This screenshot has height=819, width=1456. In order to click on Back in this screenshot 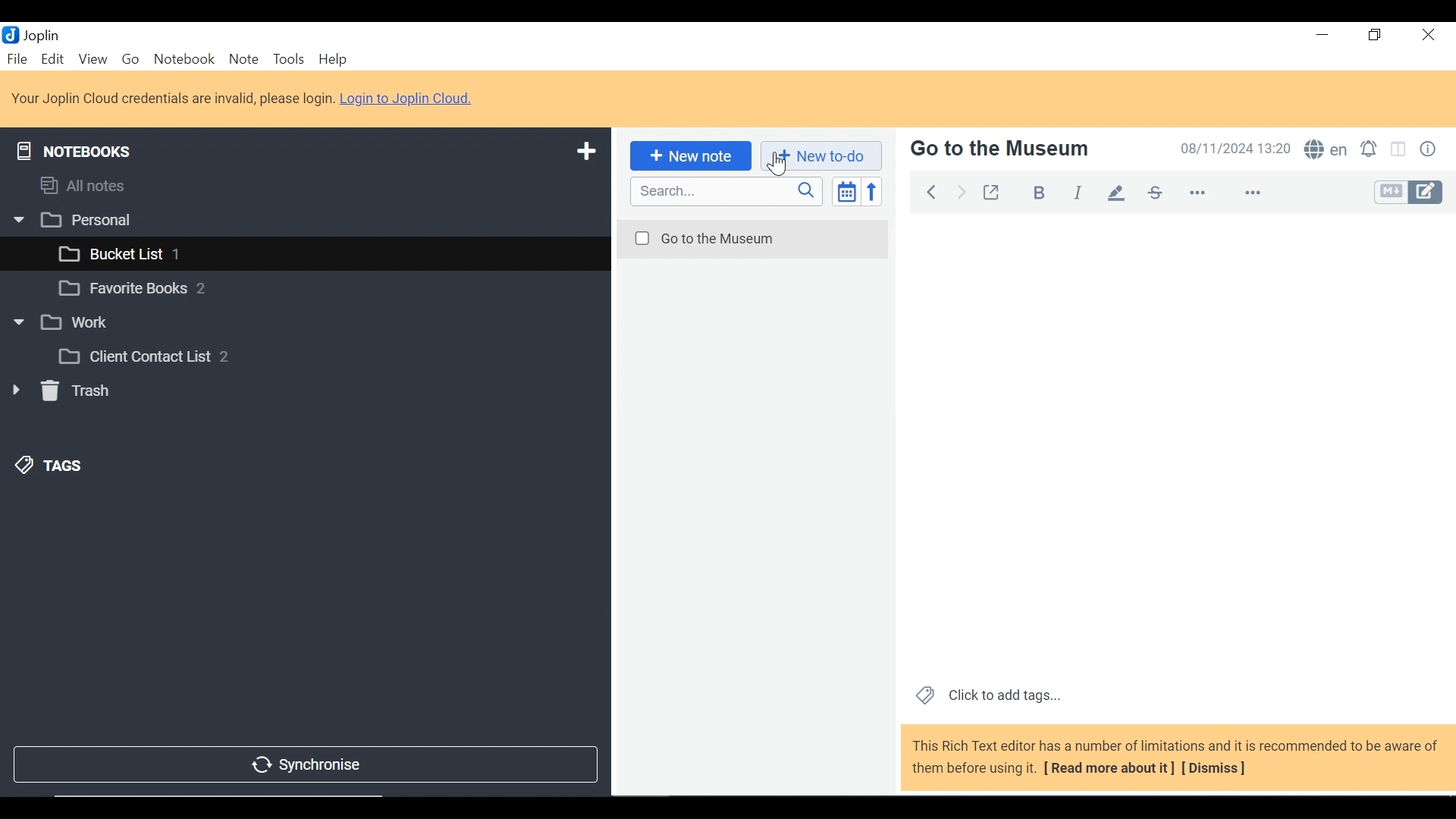, I will do `click(927, 190)`.